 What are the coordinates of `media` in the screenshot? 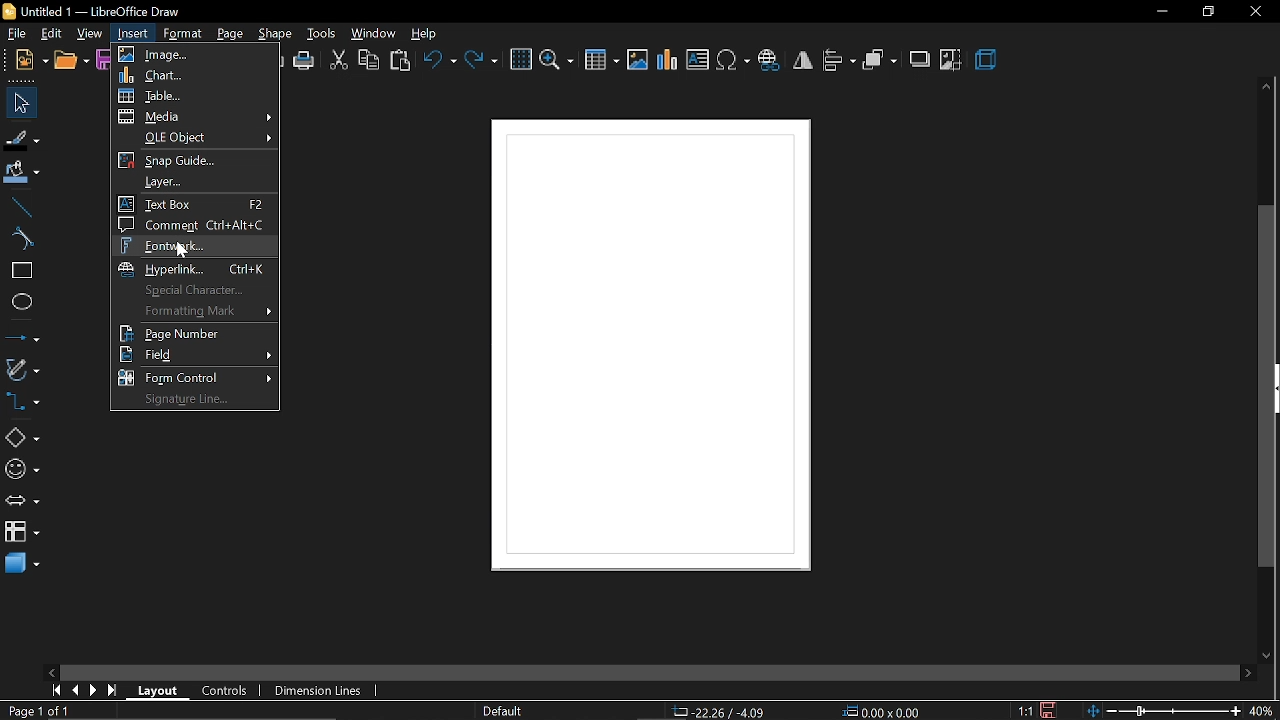 It's located at (195, 117).